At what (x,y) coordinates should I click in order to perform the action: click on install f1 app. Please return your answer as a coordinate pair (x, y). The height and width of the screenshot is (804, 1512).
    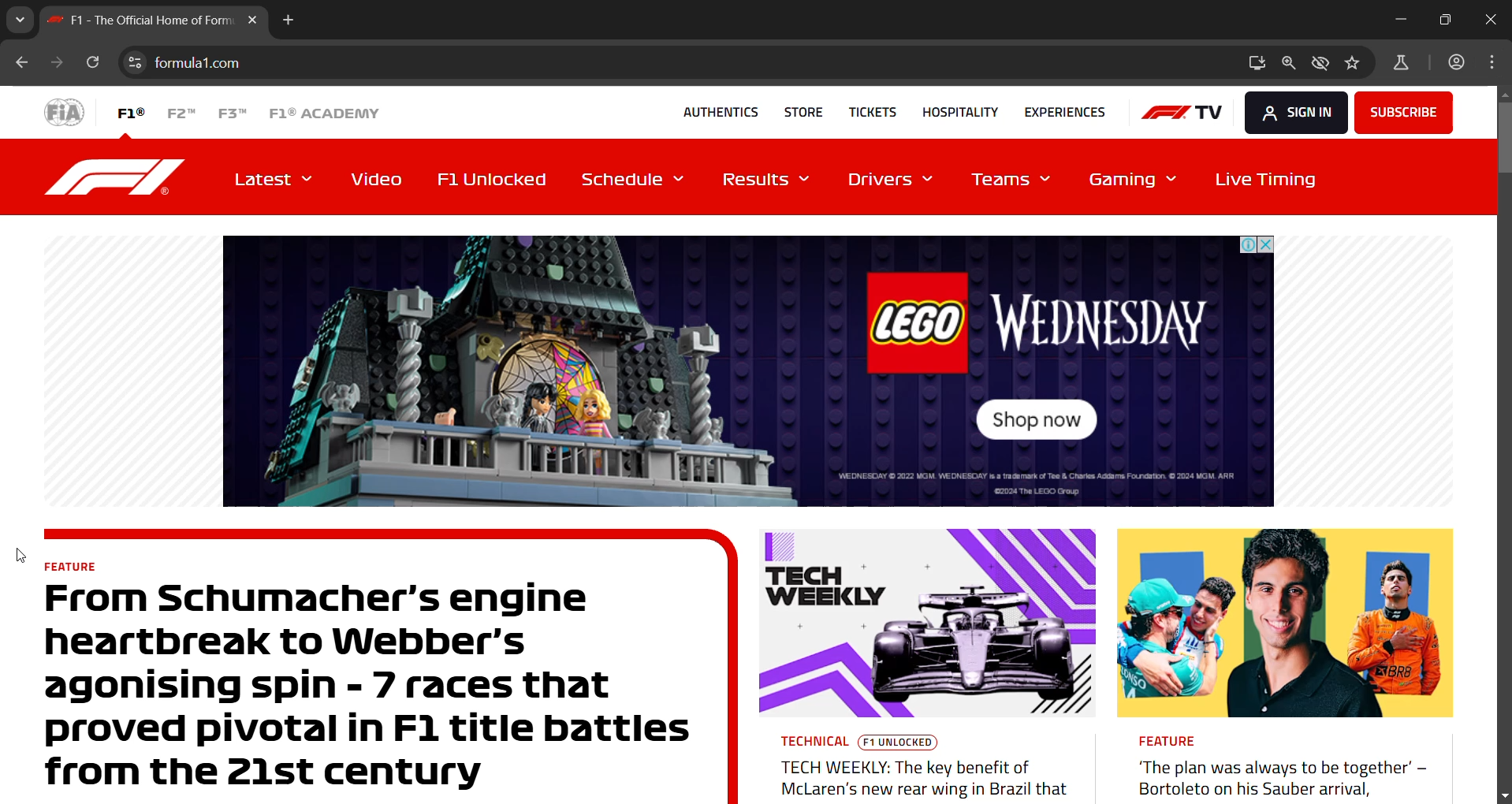
    Looking at the image, I should click on (1258, 61).